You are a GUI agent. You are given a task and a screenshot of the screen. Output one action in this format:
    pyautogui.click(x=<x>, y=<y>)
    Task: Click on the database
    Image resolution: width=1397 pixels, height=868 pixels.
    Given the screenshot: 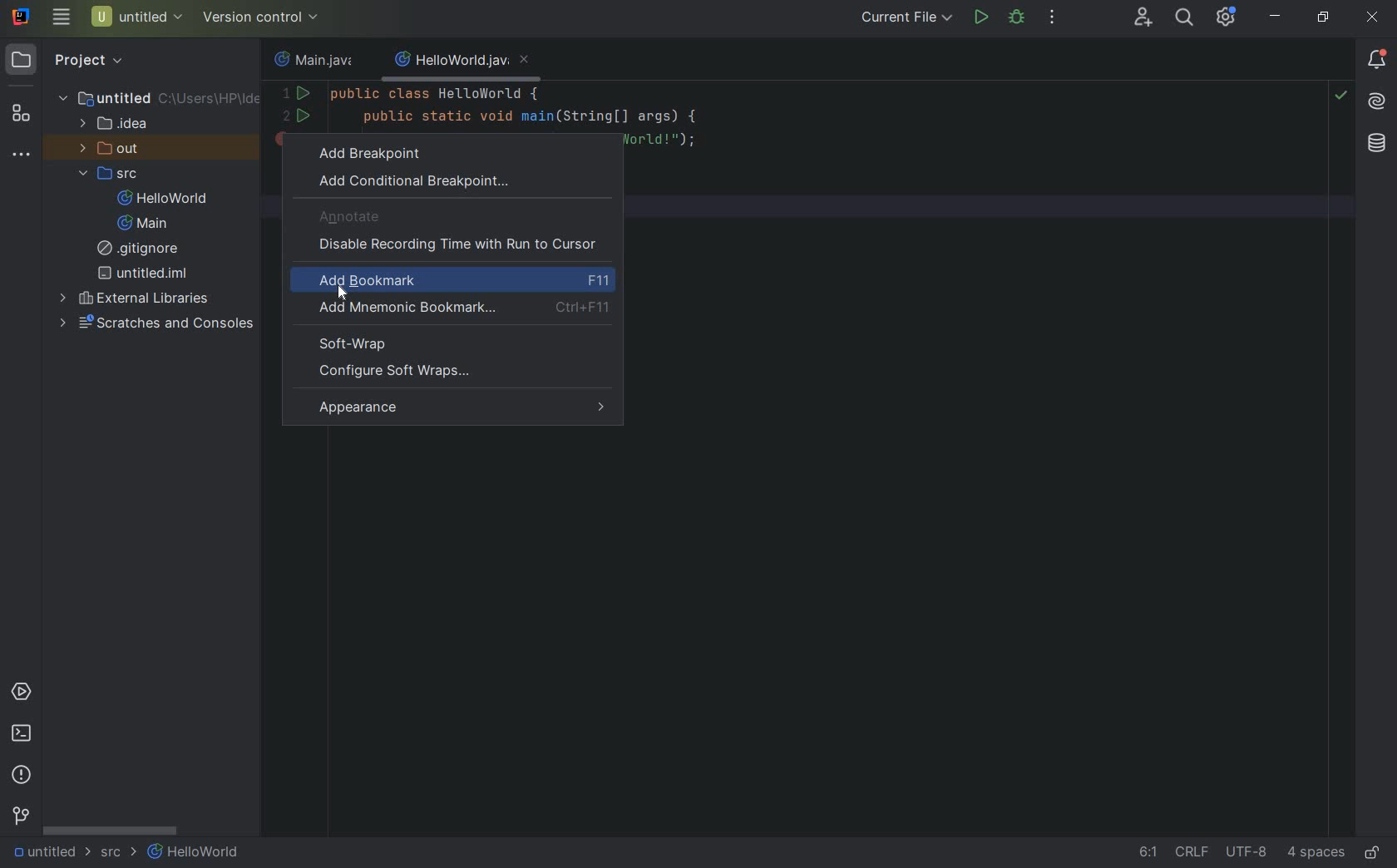 What is the action you would take?
    pyautogui.click(x=1373, y=142)
    